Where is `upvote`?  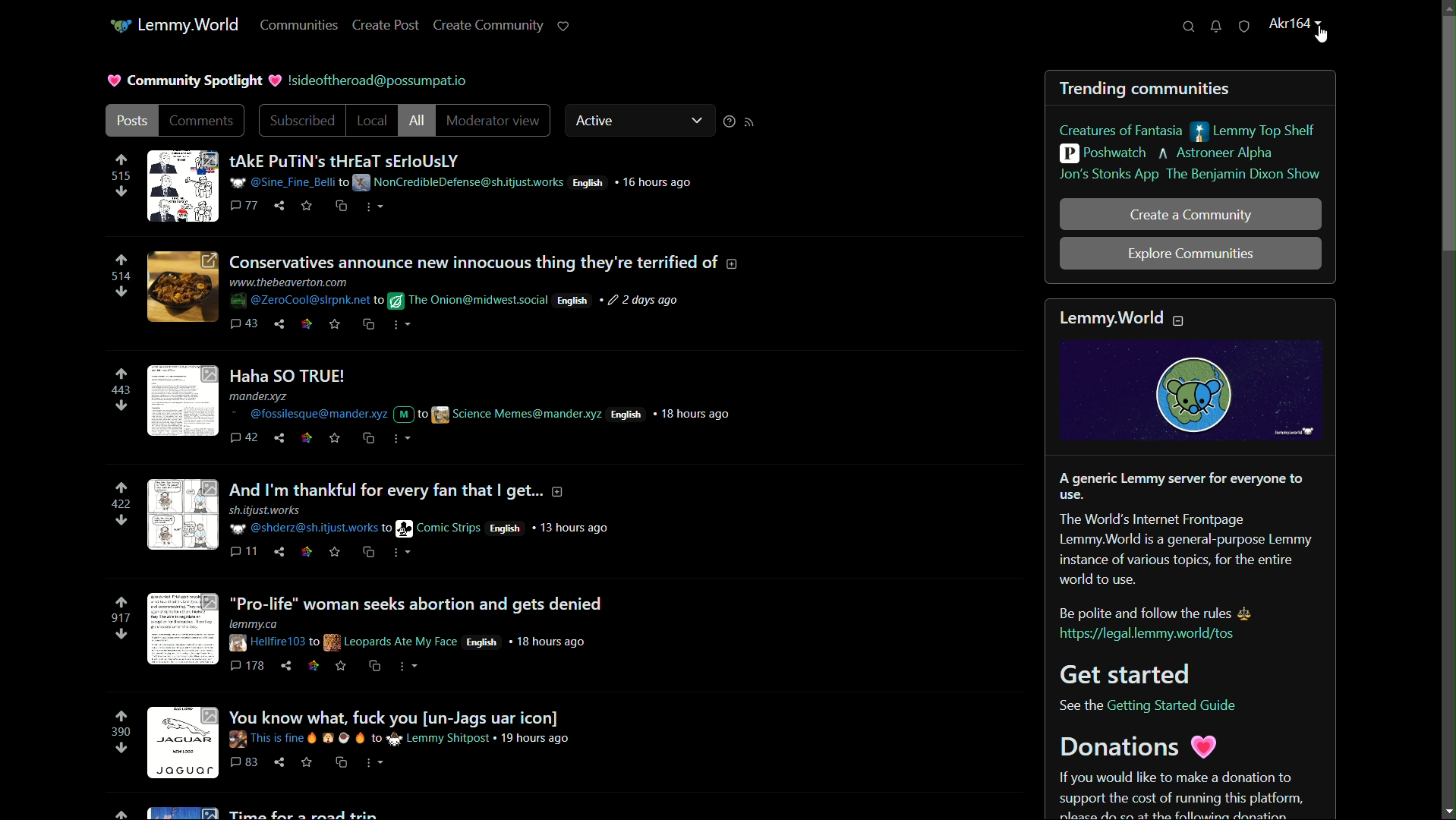
upvote is located at coordinates (121, 375).